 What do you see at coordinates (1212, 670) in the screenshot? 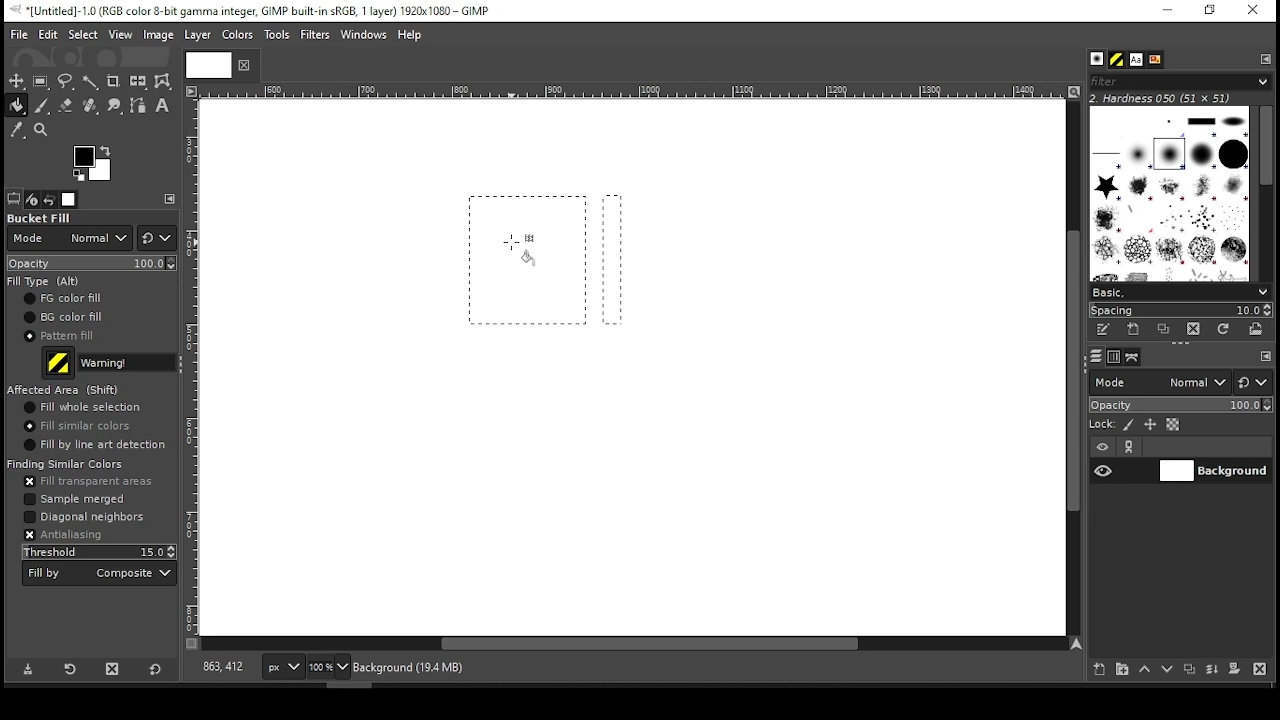
I see `merge layer` at bounding box center [1212, 670].